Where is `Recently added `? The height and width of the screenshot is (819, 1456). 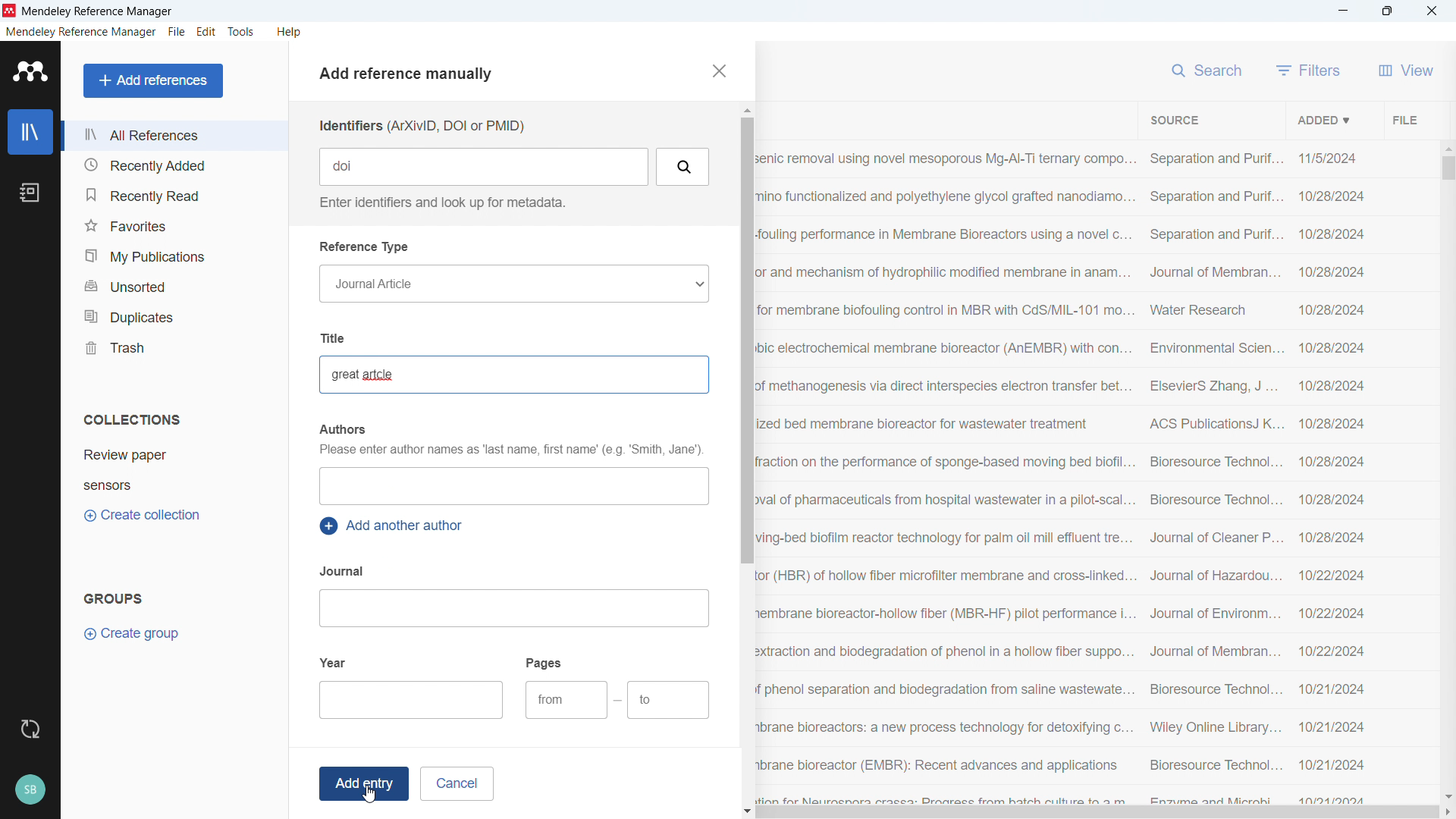
Recently added  is located at coordinates (171, 165).